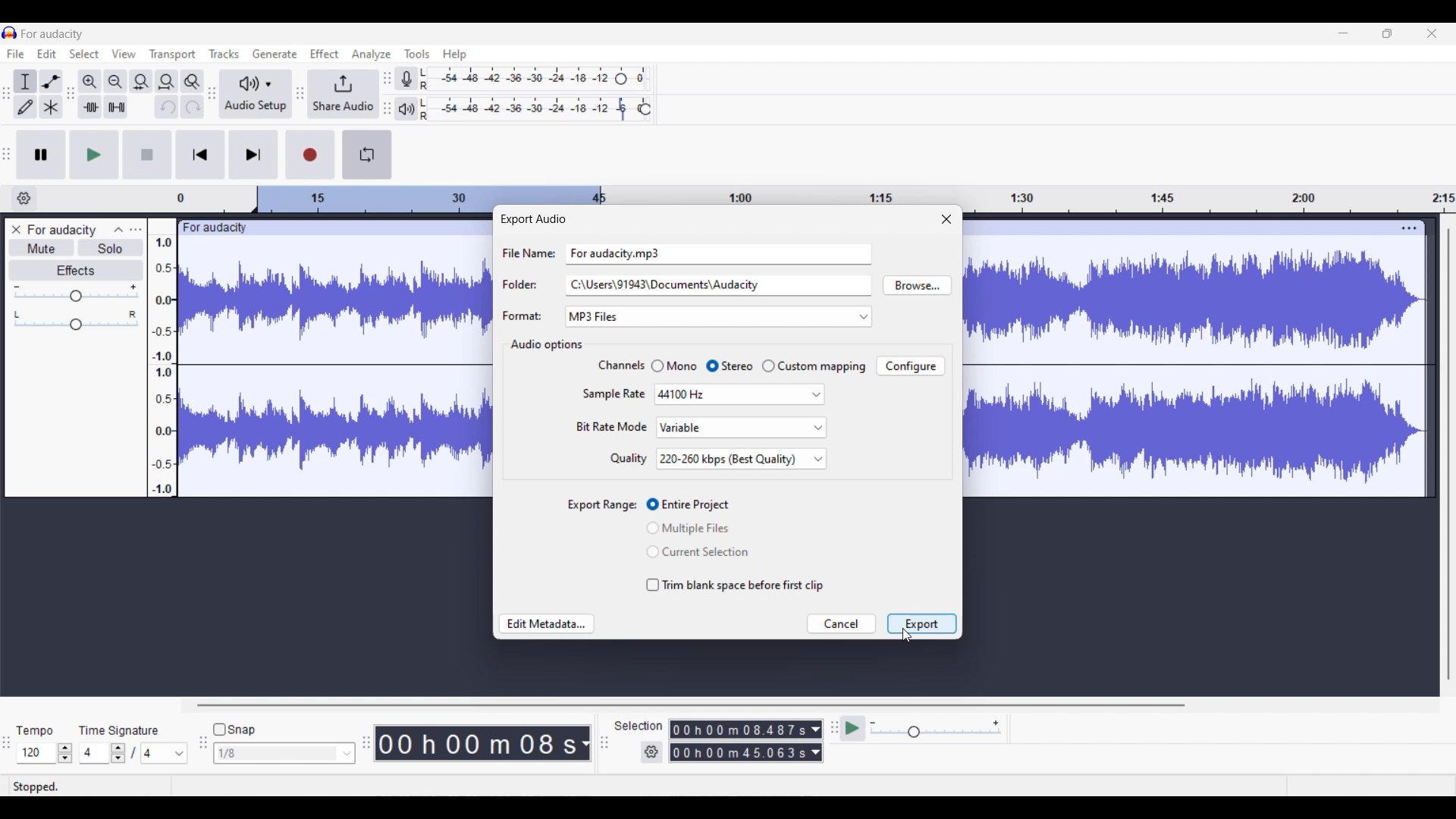  Describe the element at coordinates (736, 585) in the screenshot. I see `Toggle for trimming blank space ` at that location.